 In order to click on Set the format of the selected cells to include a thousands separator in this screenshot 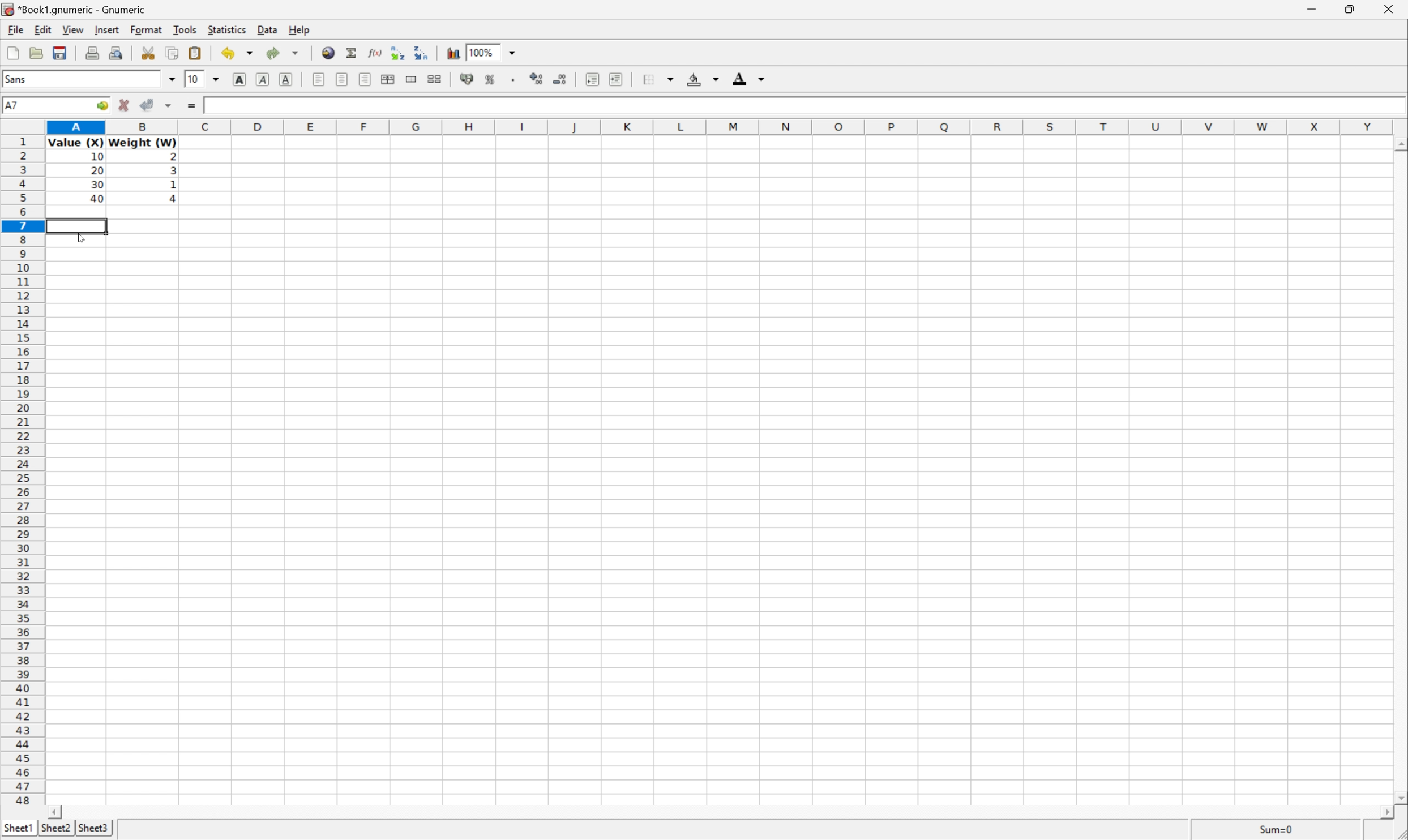, I will do `click(512, 80)`.